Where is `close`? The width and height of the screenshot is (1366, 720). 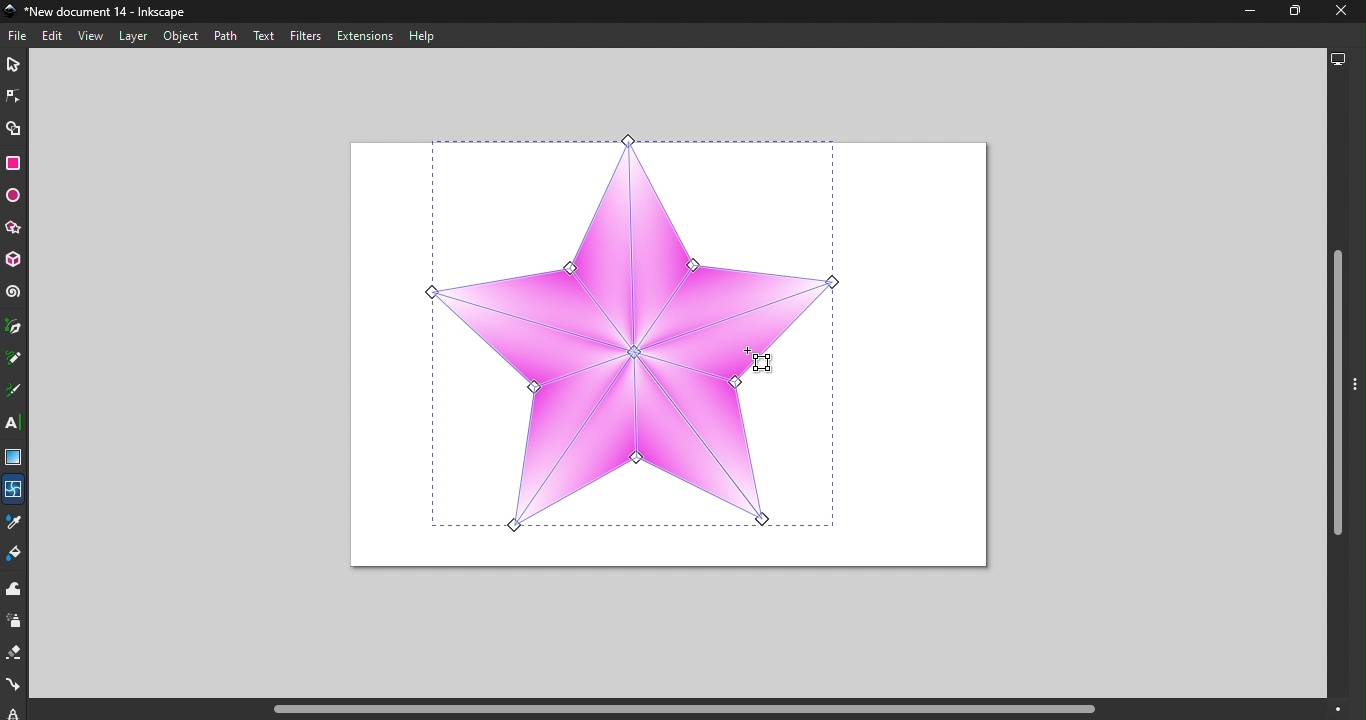 close is located at coordinates (1336, 12).